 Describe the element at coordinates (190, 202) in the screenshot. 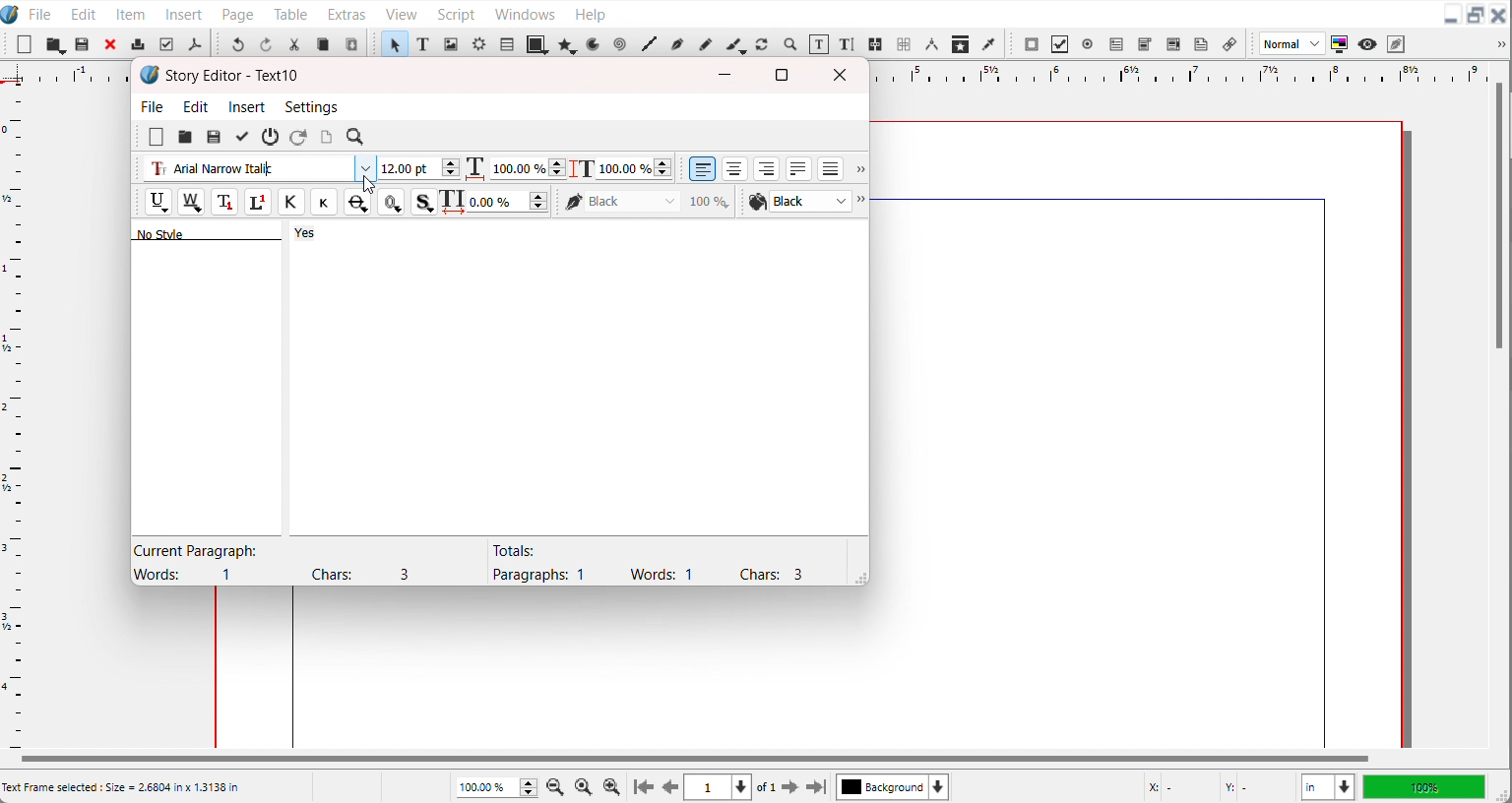

I see `Remove underline` at that location.